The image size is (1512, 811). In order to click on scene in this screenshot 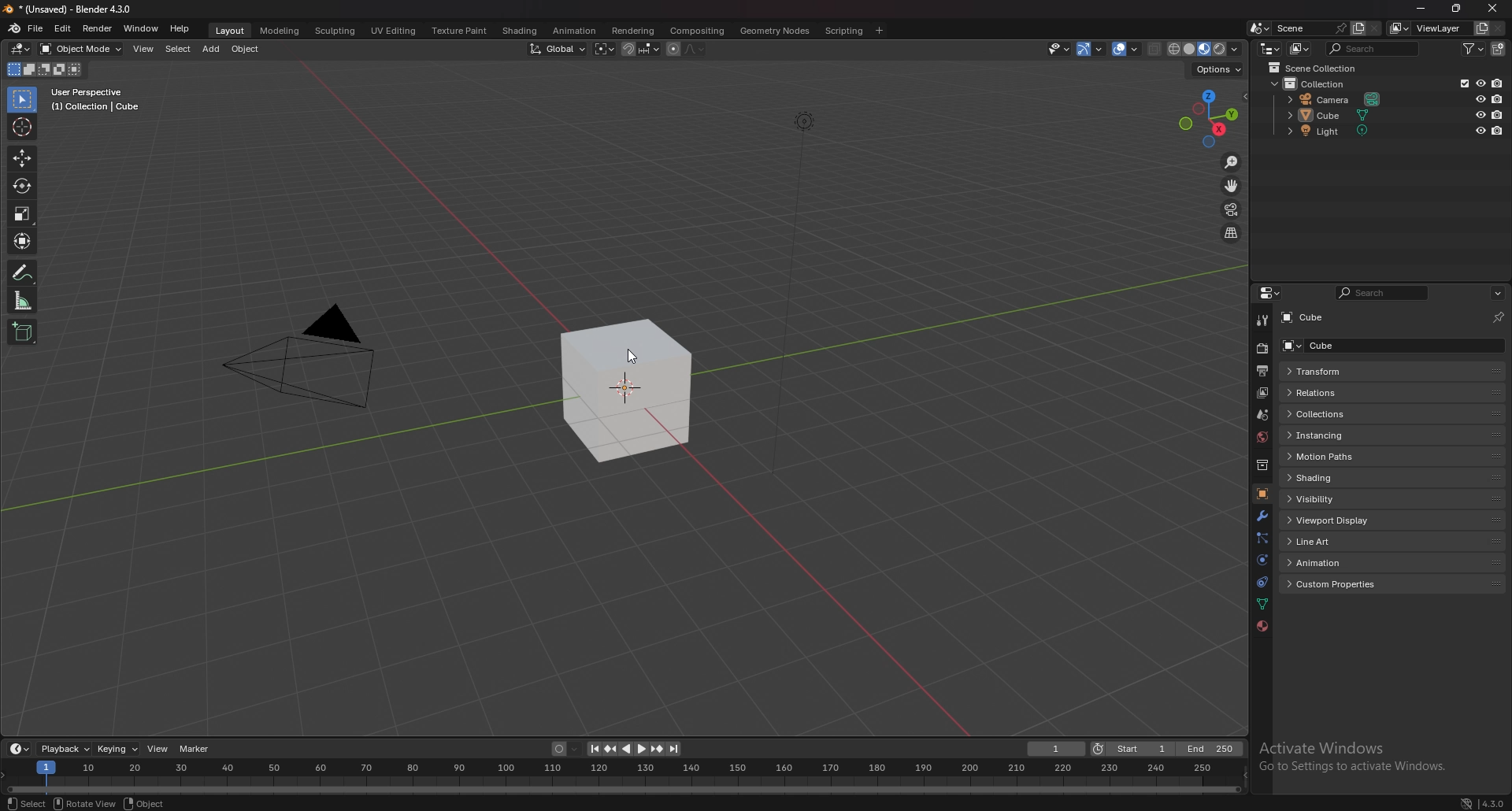, I will do `click(1262, 415)`.